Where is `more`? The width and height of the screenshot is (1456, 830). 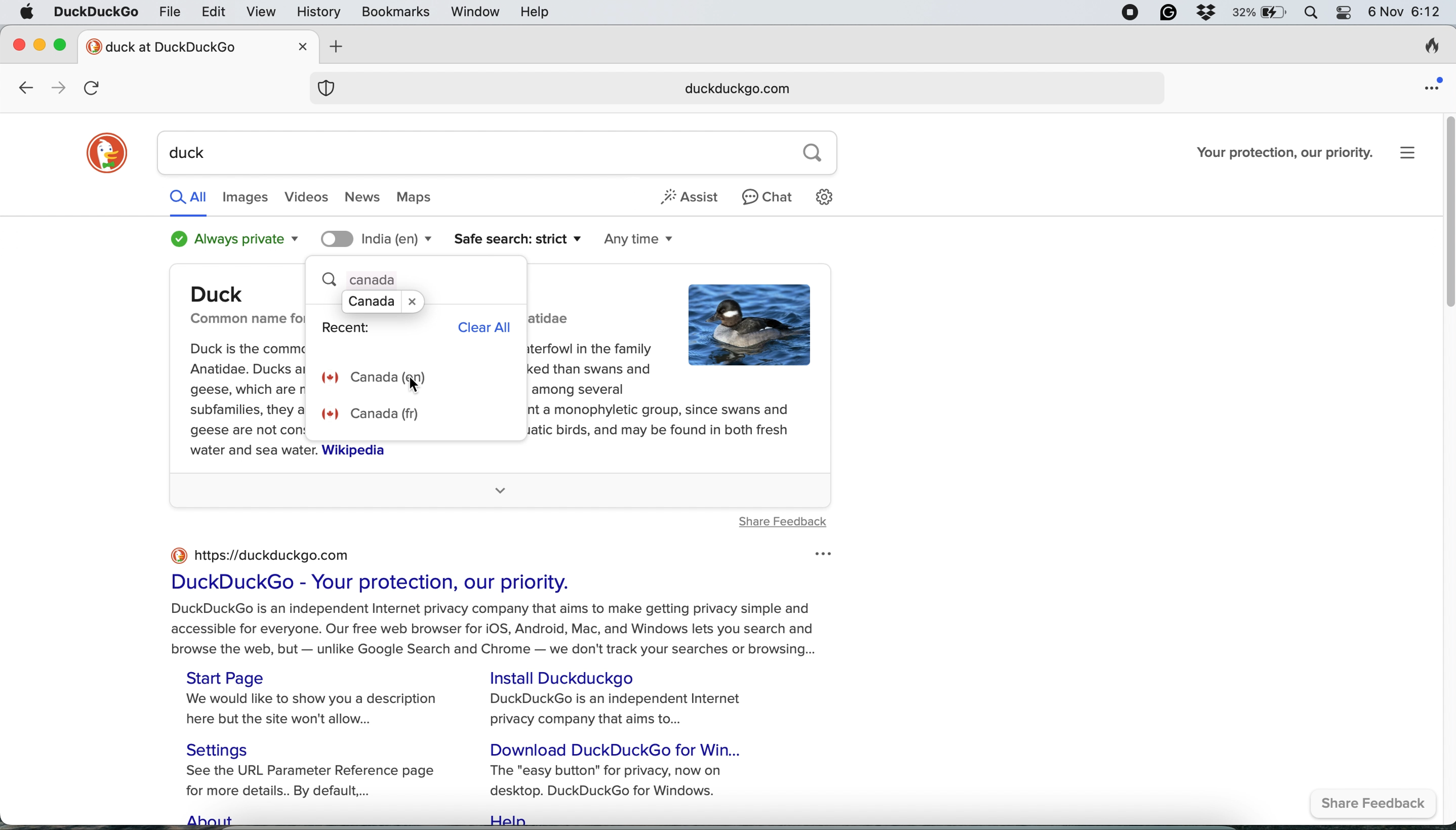
more is located at coordinates (501, 489).